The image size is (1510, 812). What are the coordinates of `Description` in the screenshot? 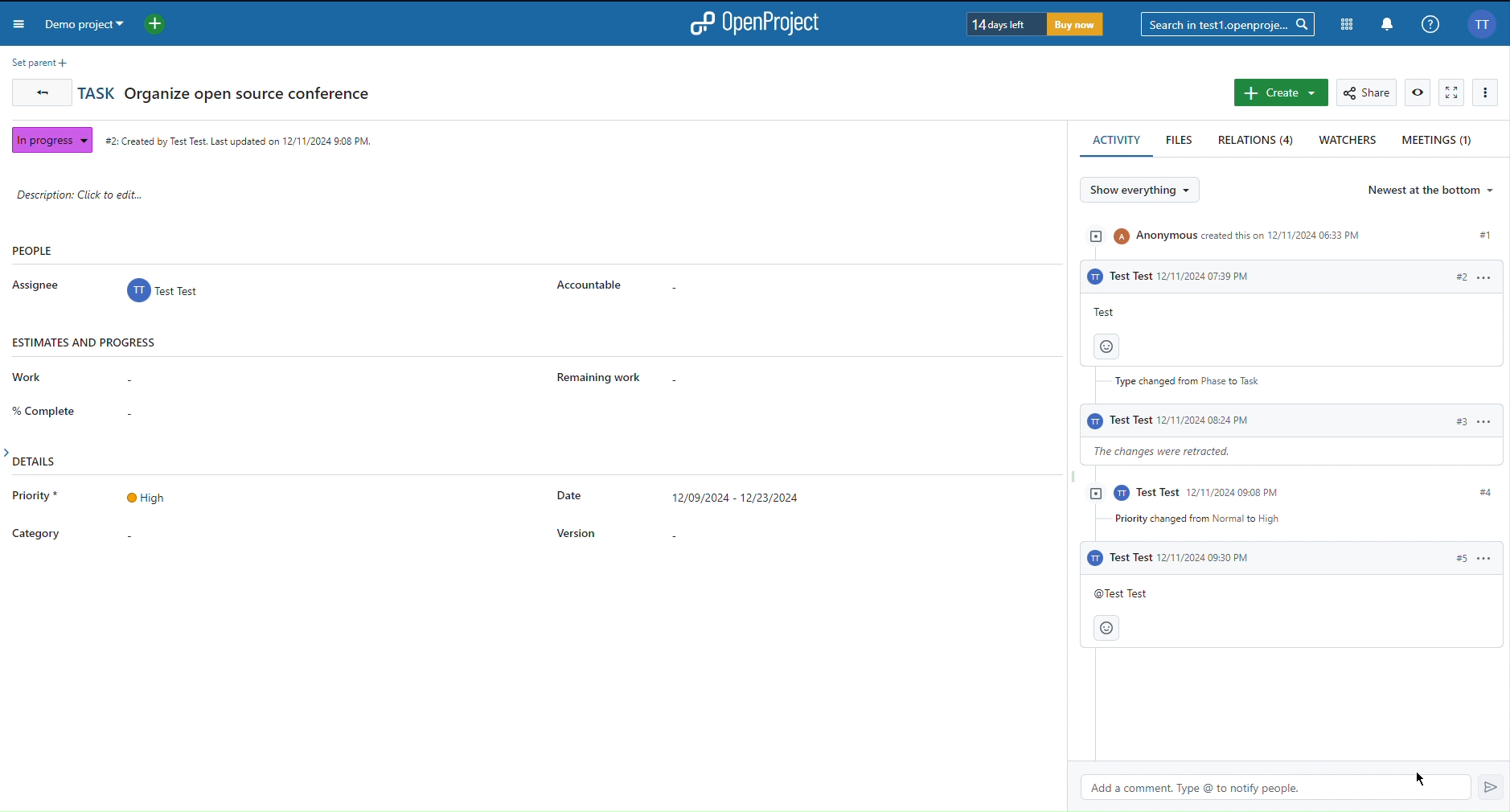 It's located at (96, 195).